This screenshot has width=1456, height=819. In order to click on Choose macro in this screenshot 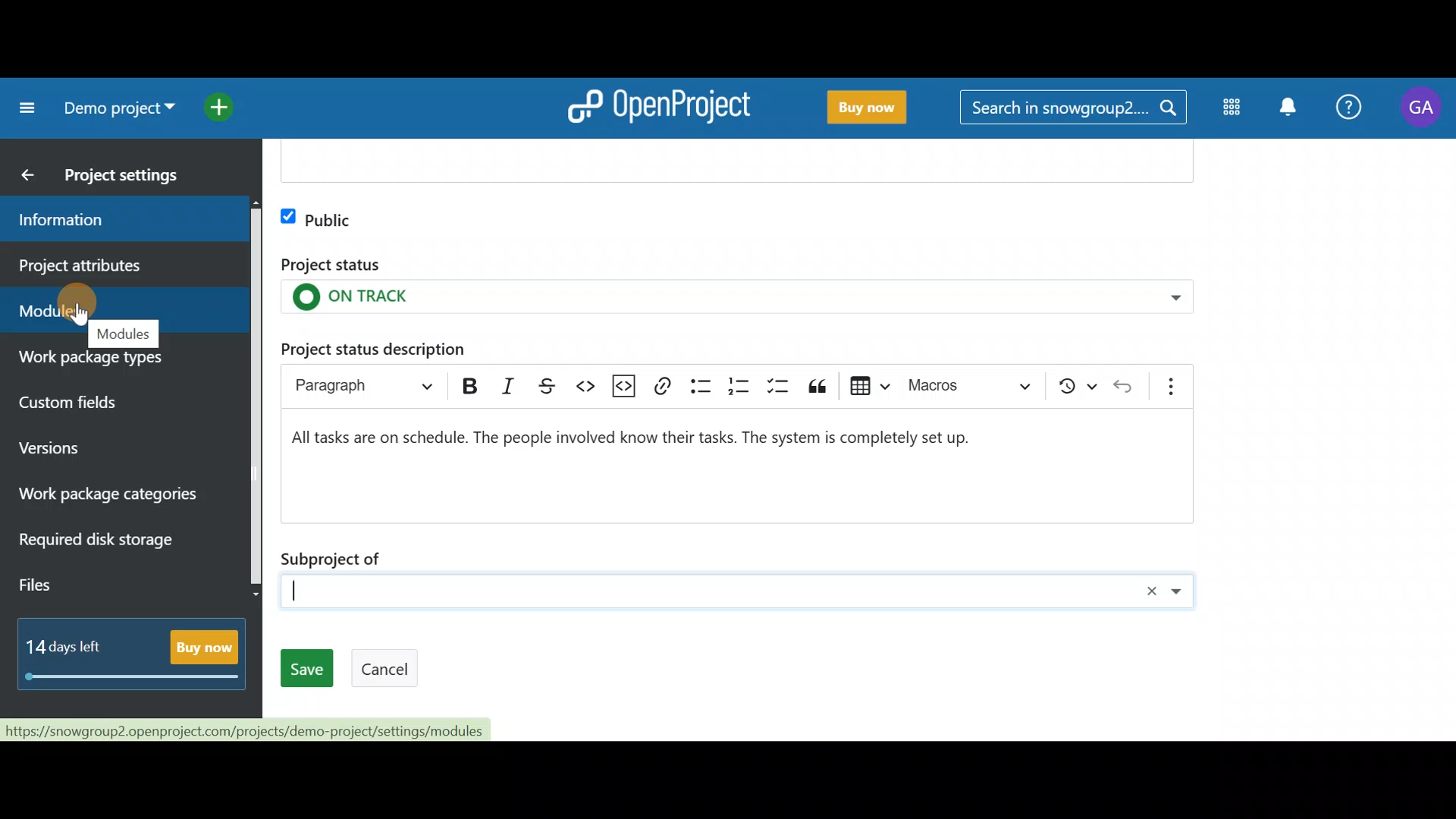, I will do `click(975, 383)`.